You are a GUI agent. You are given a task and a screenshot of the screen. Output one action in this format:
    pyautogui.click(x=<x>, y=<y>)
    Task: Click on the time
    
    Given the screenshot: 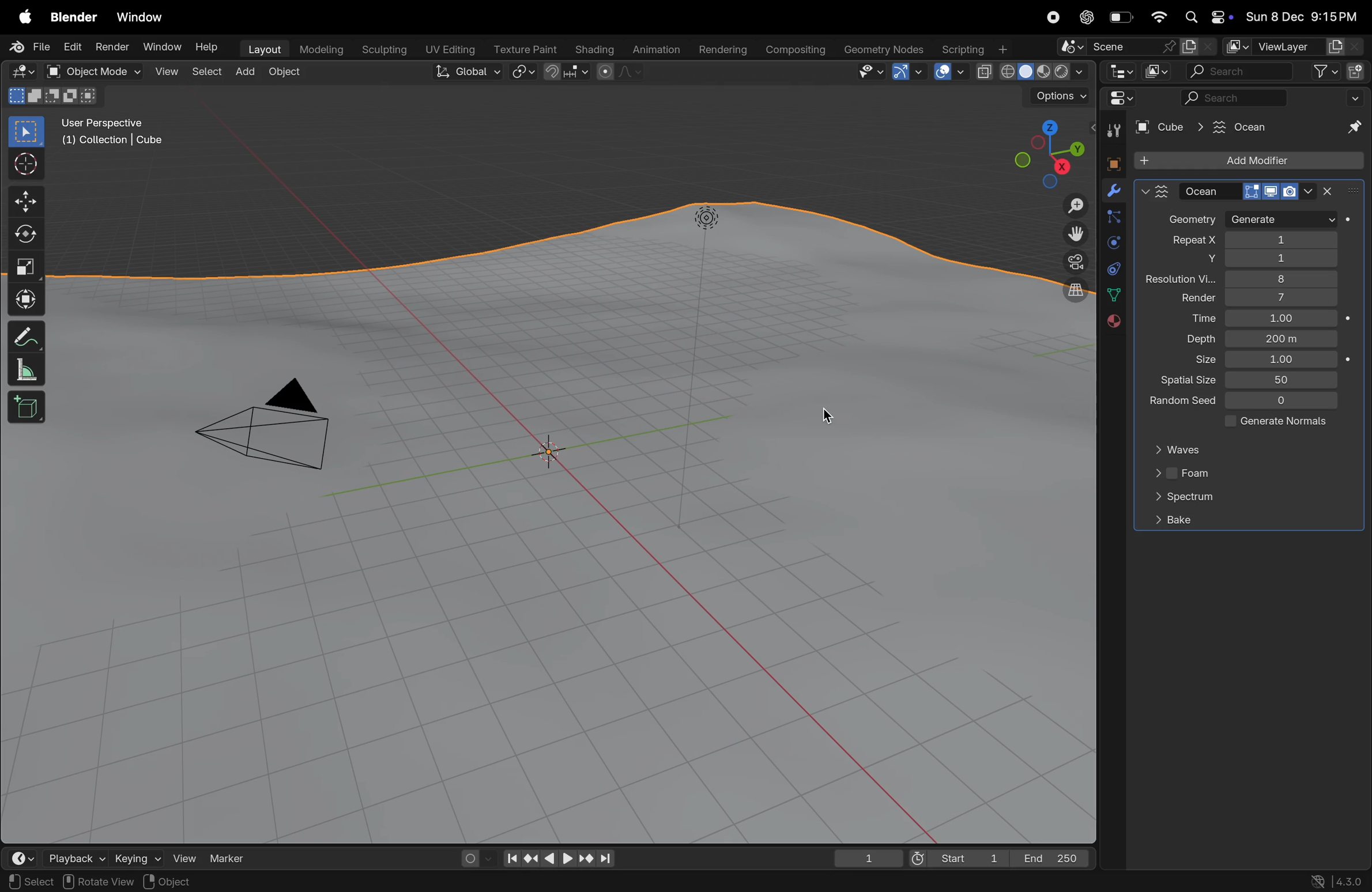 What is the action you would take?
    pyautogui.click(x=1192, y=319)
    